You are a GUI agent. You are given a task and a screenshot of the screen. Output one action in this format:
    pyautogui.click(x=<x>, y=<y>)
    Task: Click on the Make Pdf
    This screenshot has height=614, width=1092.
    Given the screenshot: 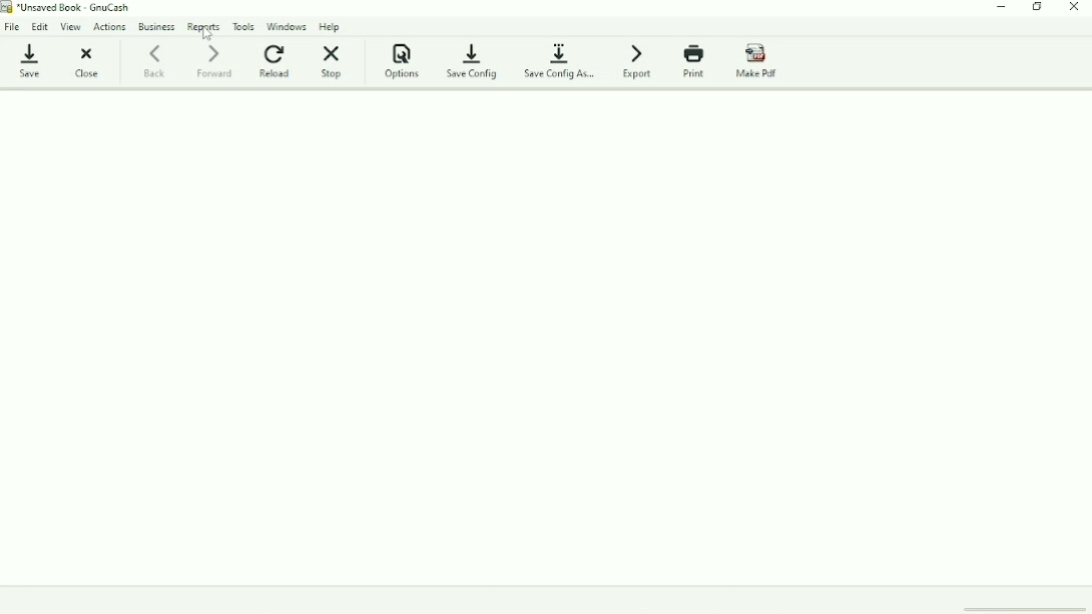 What is the action you would take?
    pyautogui.click(x=760, y=61)
    